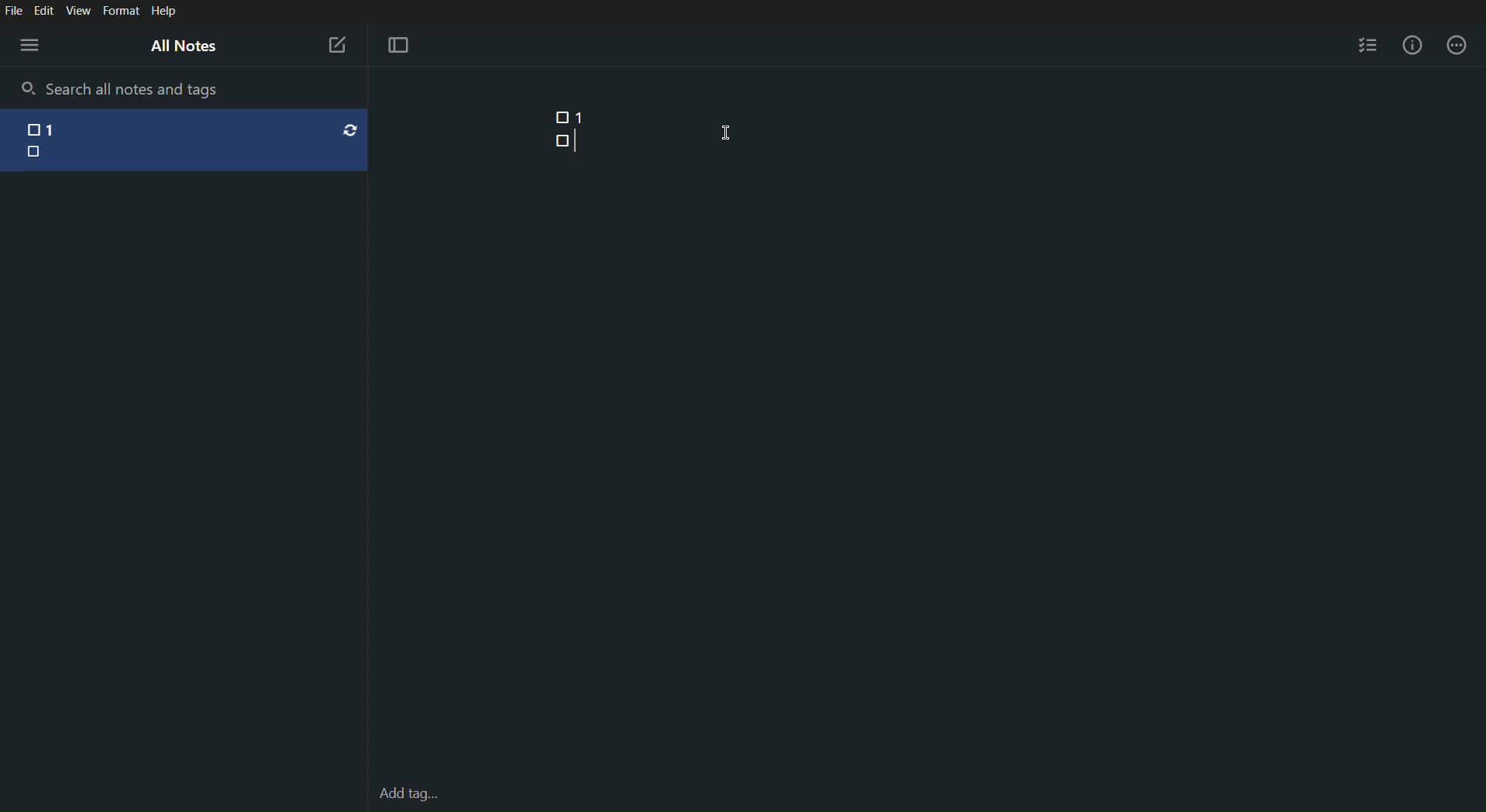  Describe the element at coordinates (397, 46) in the screenshot. I see `Focus Mode` at that location.